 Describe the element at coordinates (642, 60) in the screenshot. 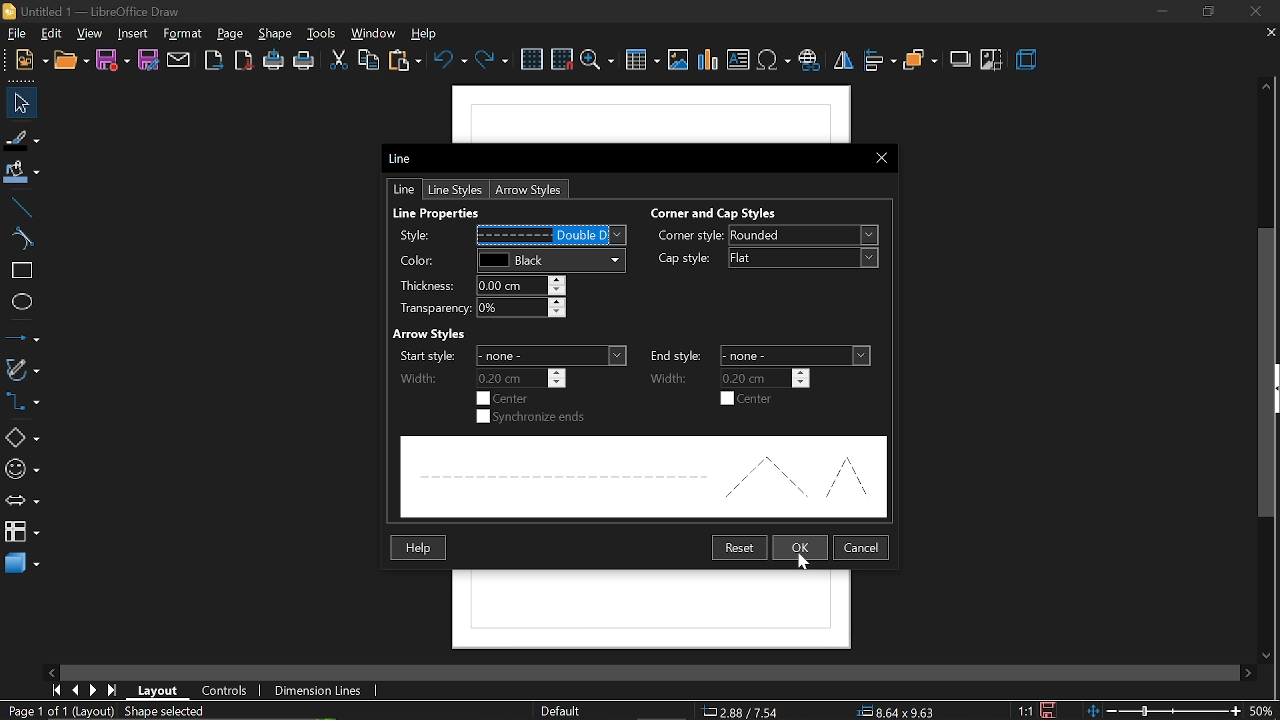

I see `insert table` at that location.